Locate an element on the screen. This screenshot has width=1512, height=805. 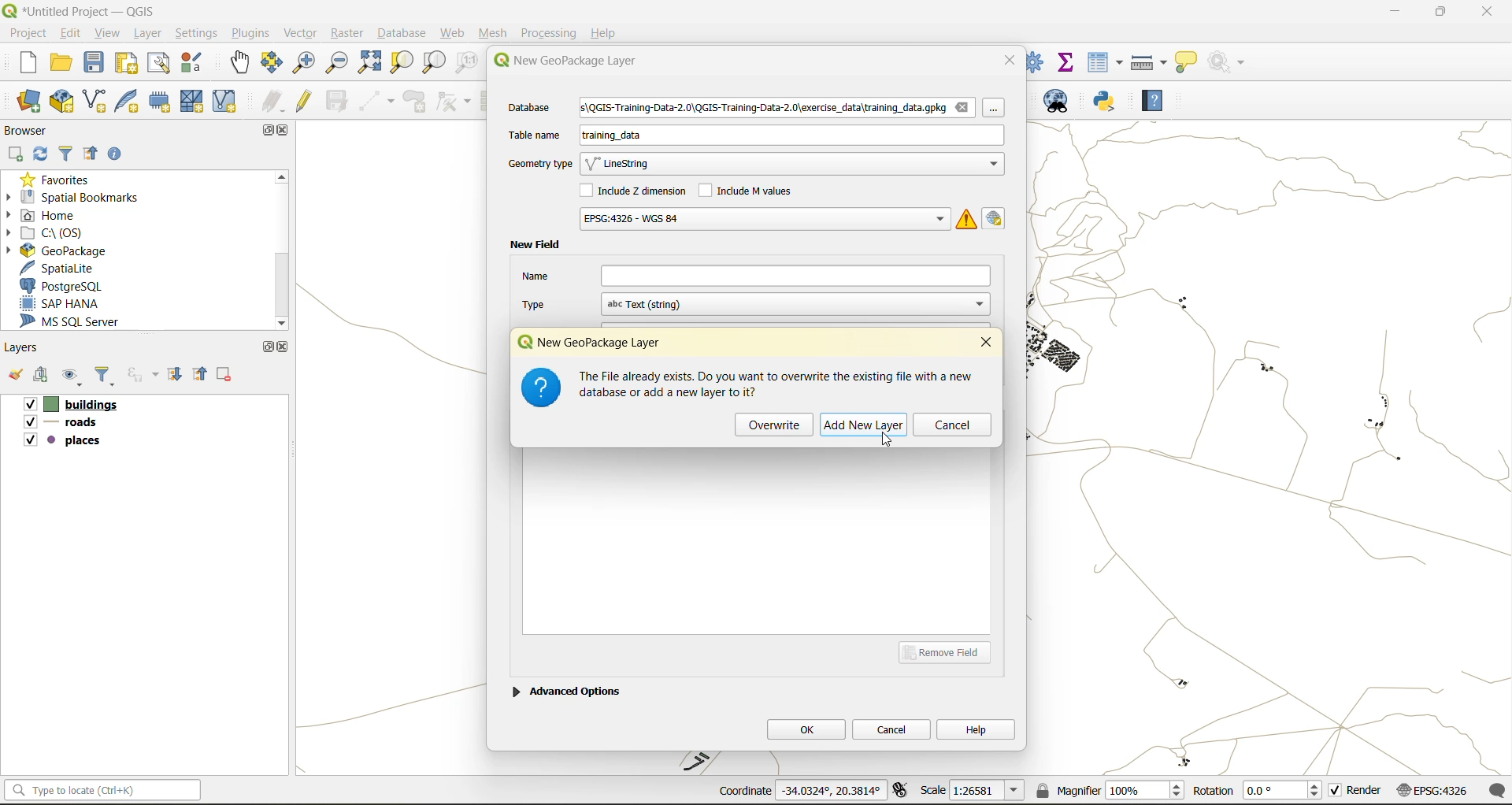
plugins is located at coordinates (250, 33).